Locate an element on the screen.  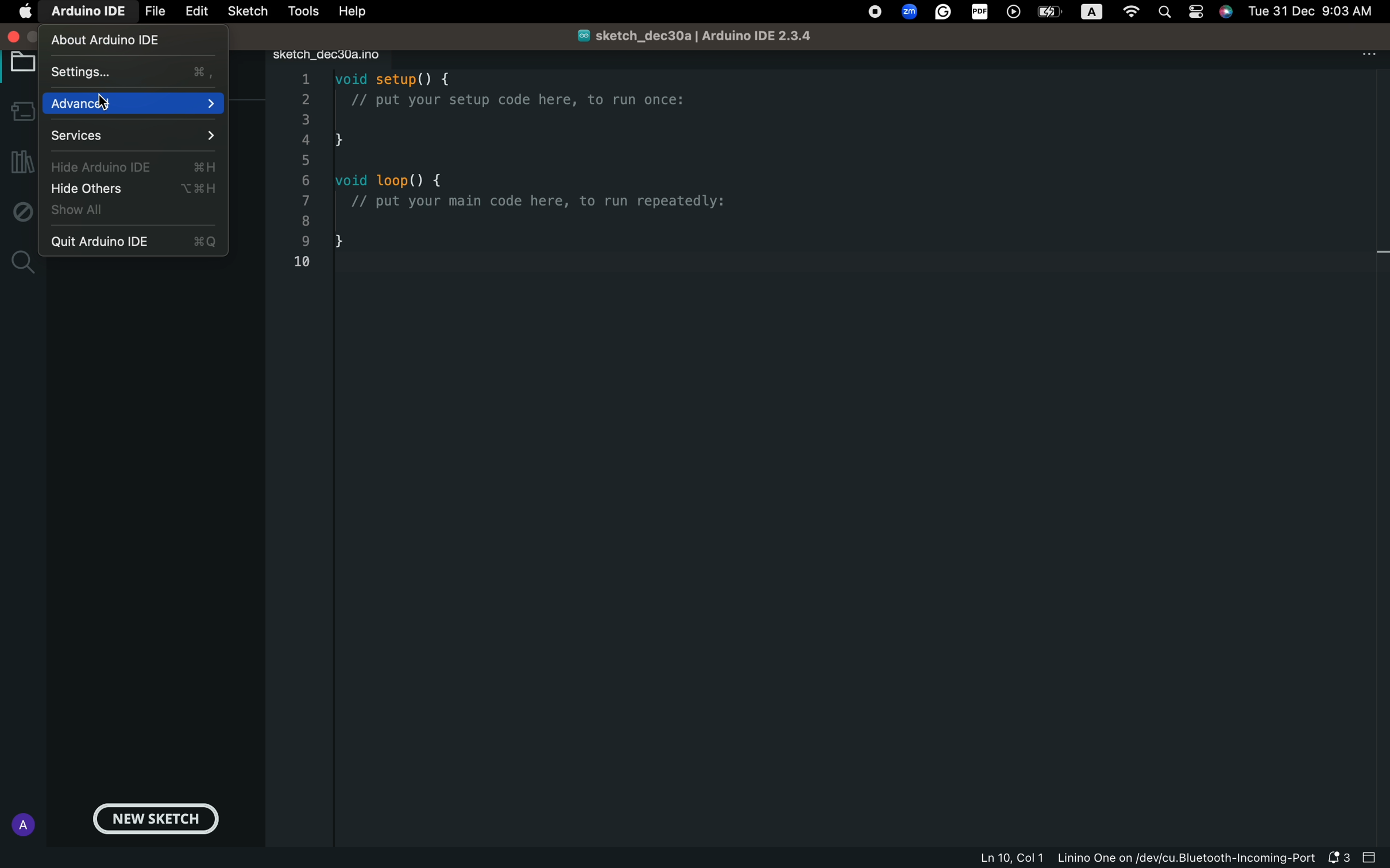
Switch is located at coordinates (1197, 13).